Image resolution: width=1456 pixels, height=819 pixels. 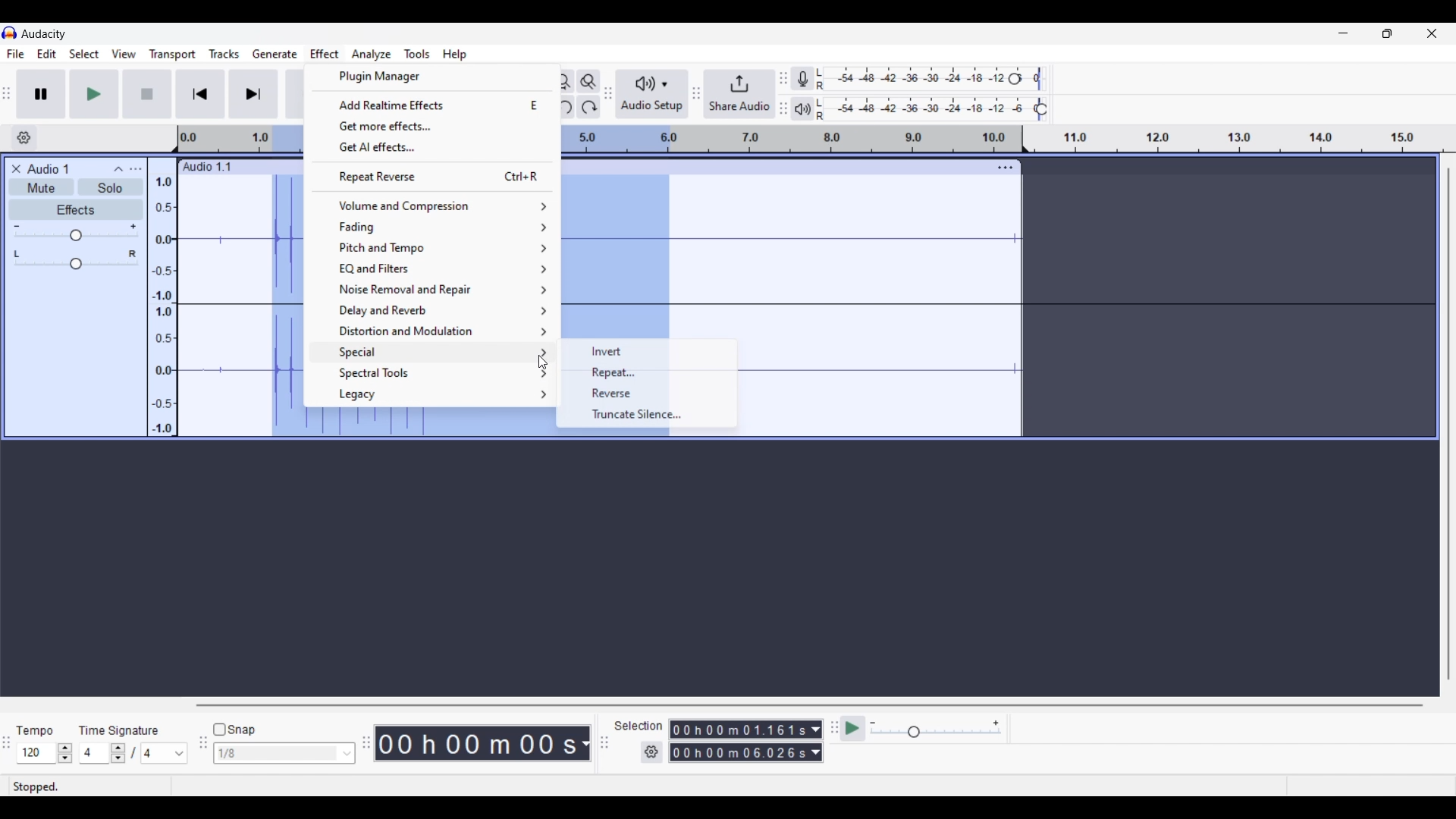 What do you see at coordinates (432, 353) in the screenshot?
I see `Special options` at bounding box center [432, 353].